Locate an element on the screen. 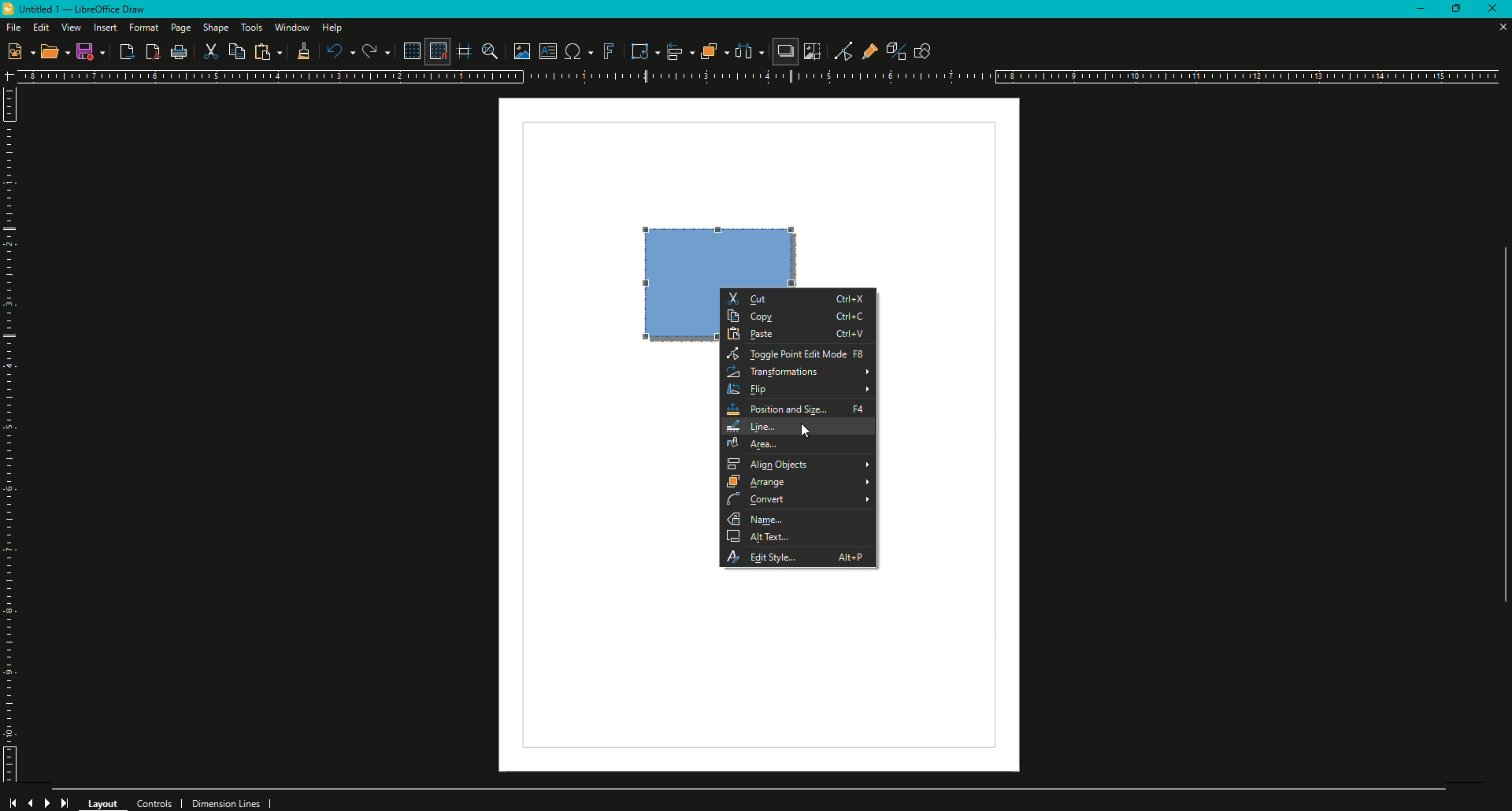  Edit is located at coordinates (41, 27).